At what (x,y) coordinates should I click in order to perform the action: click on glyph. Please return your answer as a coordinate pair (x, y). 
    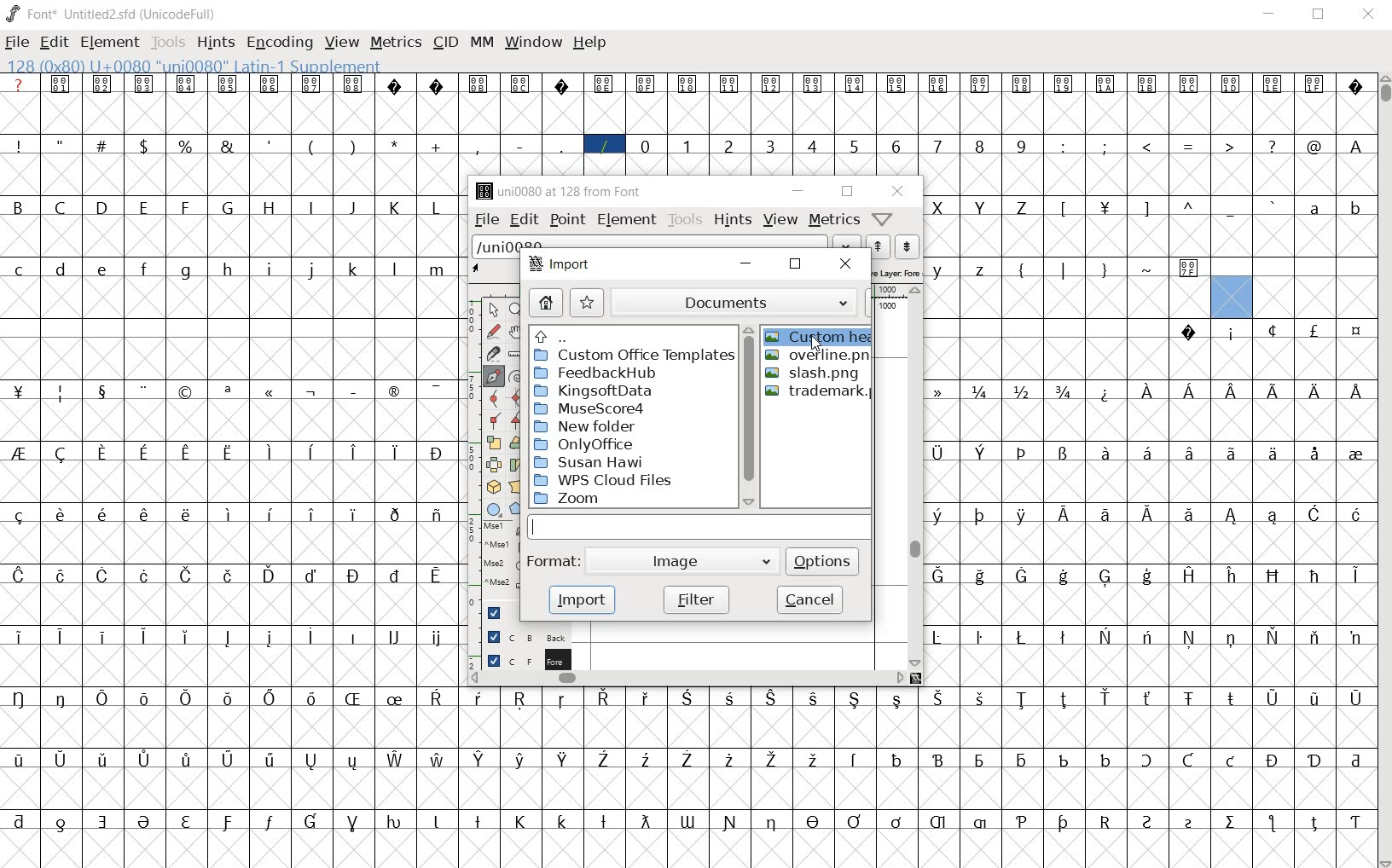
    Looking at the image, I should click on (355, 392).